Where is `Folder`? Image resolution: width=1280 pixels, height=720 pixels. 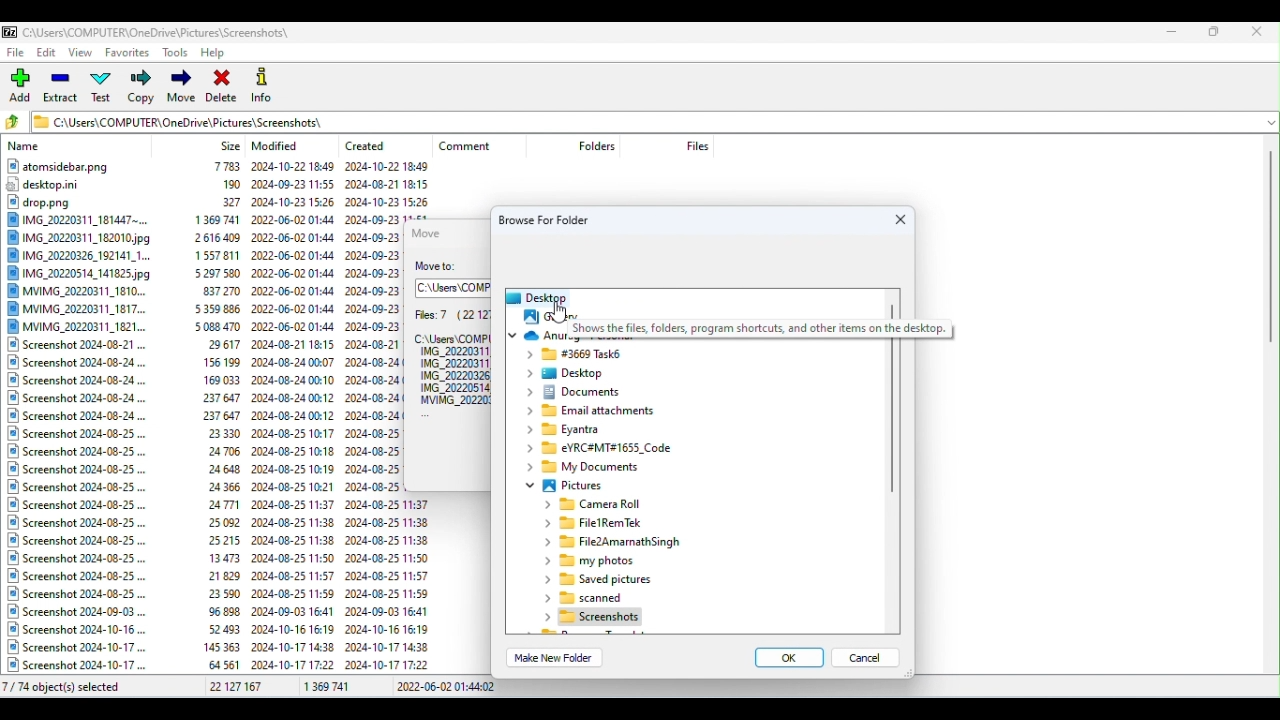
Folder is located at coordinates (574, 355).